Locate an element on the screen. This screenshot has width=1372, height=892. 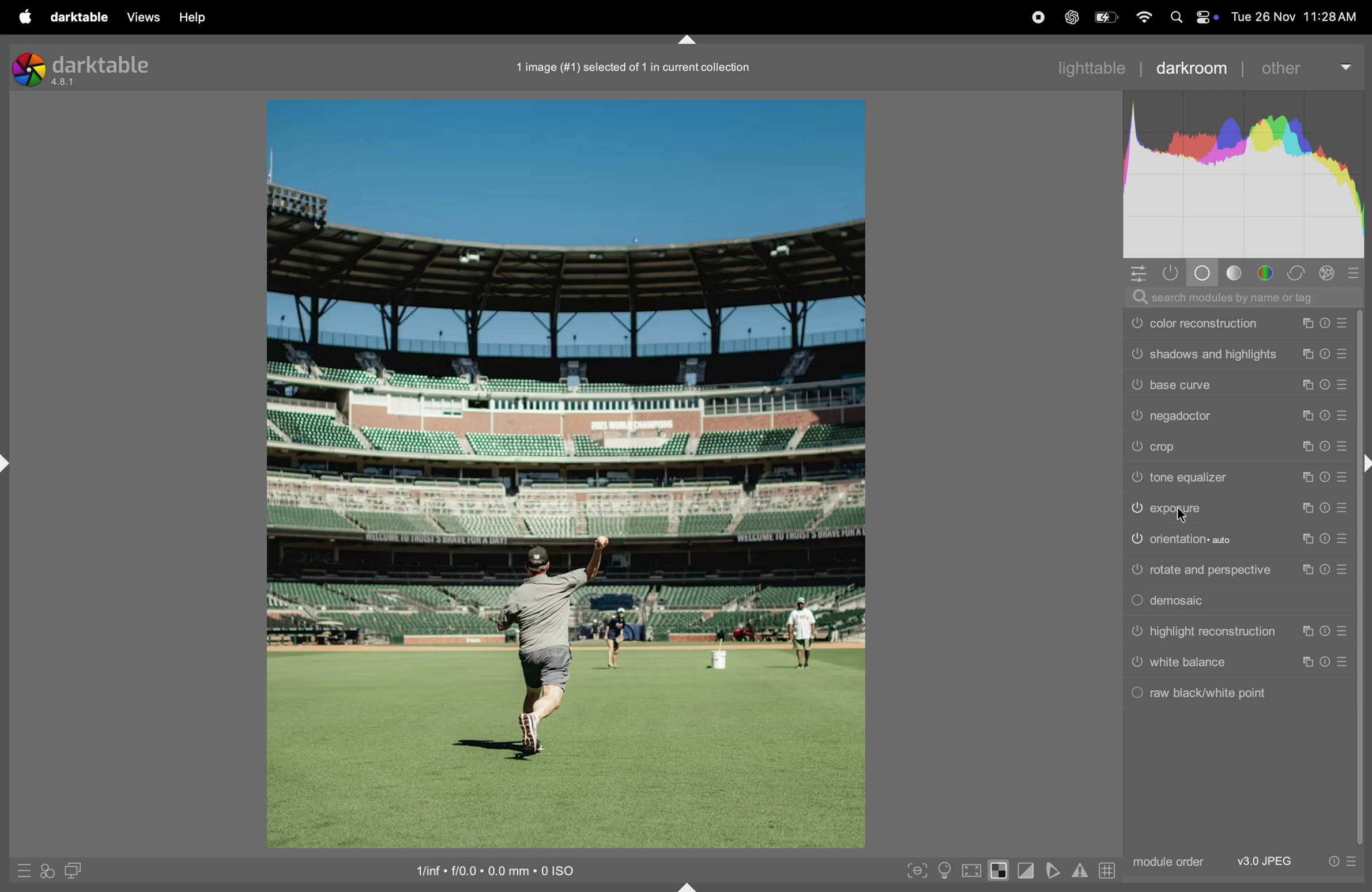
copy is located at coordinates (1308, 632).